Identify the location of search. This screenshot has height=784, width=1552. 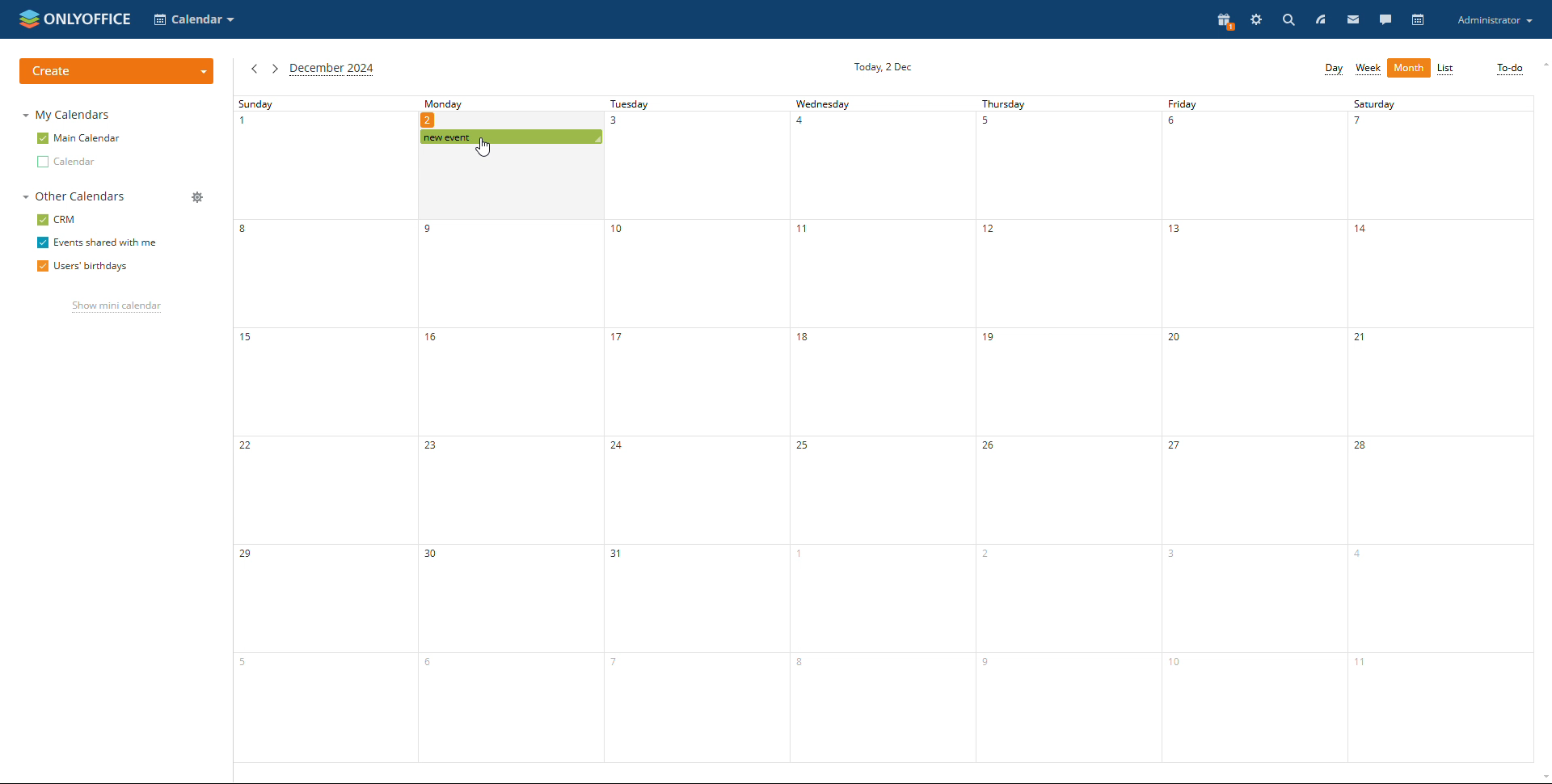
(1290, 20).